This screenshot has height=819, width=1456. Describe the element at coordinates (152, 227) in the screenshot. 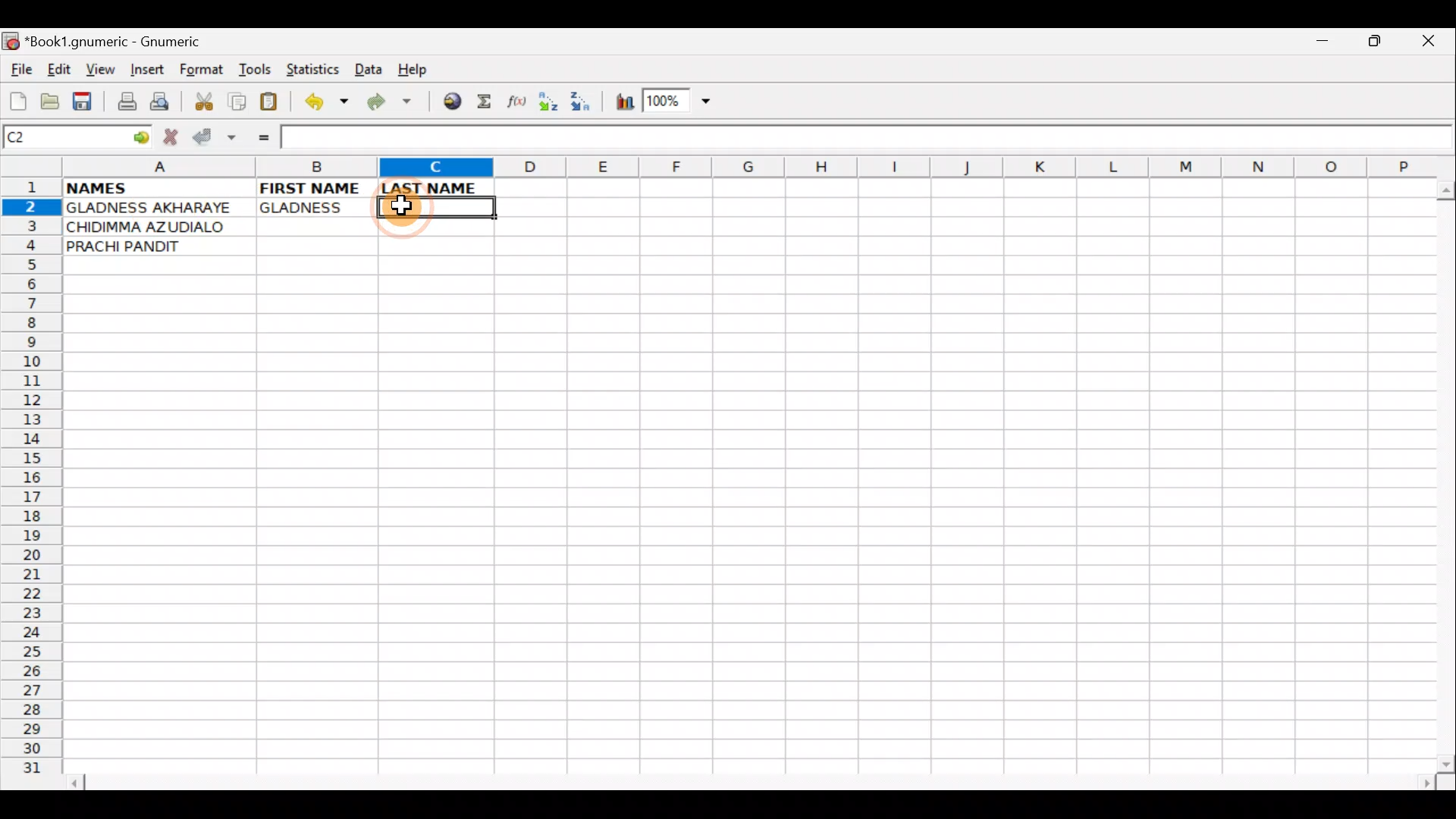

I see `CHIDIMMA AZUDIALO` at that location.